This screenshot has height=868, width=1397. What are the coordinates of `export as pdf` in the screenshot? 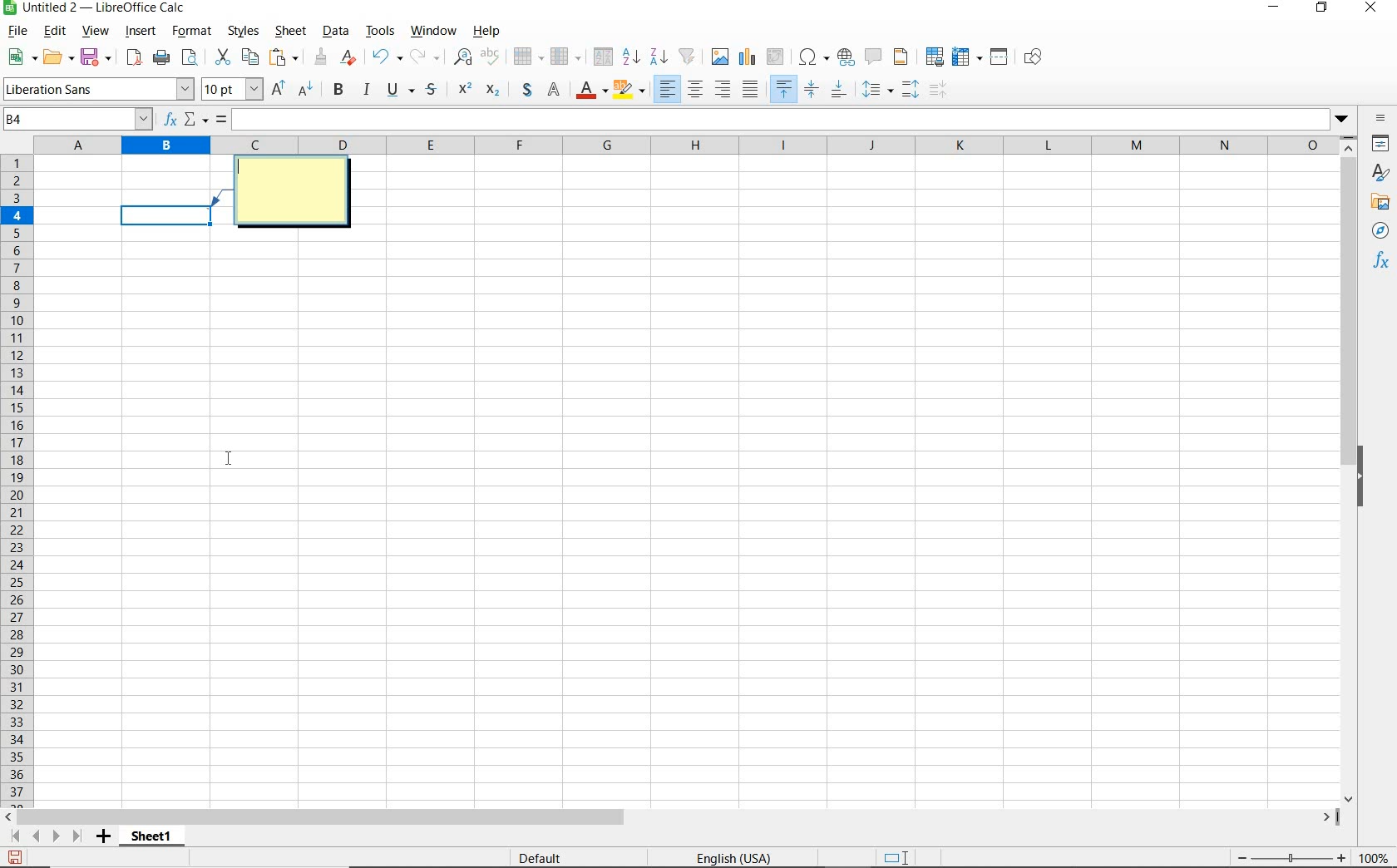 It's located at (131, 57).